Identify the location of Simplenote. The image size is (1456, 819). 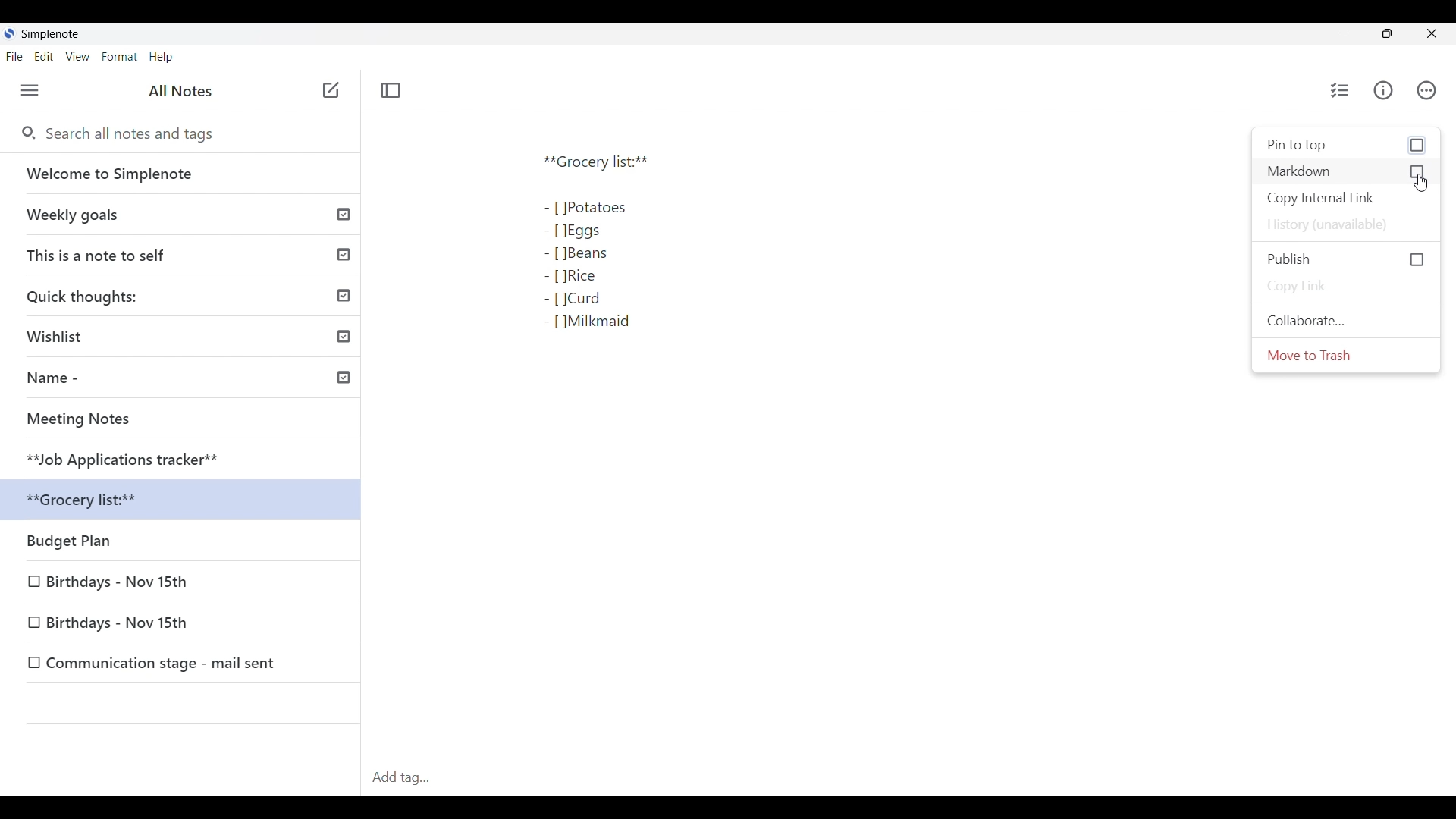
(47, 33).